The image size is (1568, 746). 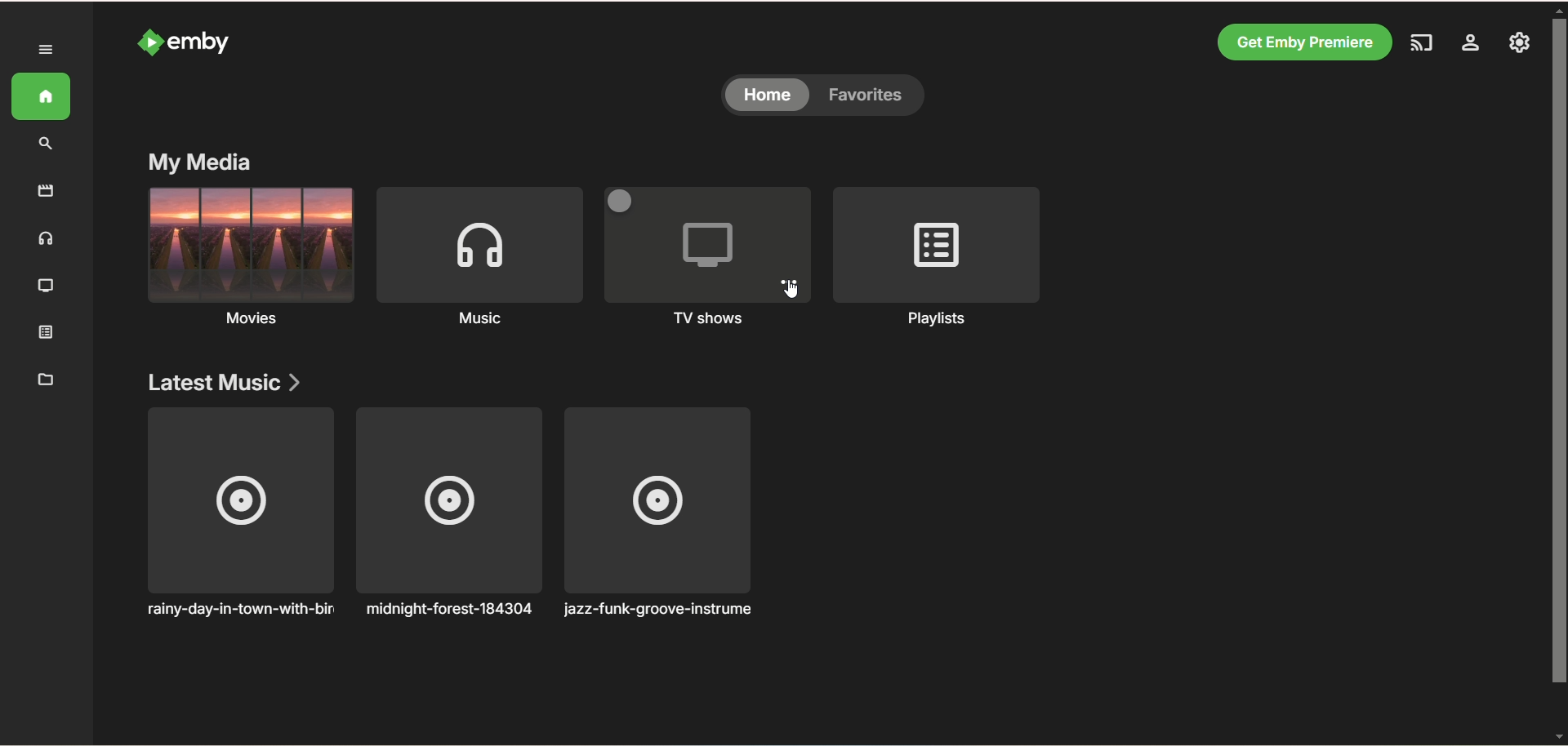 I want to click on movies, so click(x=46, y=191).